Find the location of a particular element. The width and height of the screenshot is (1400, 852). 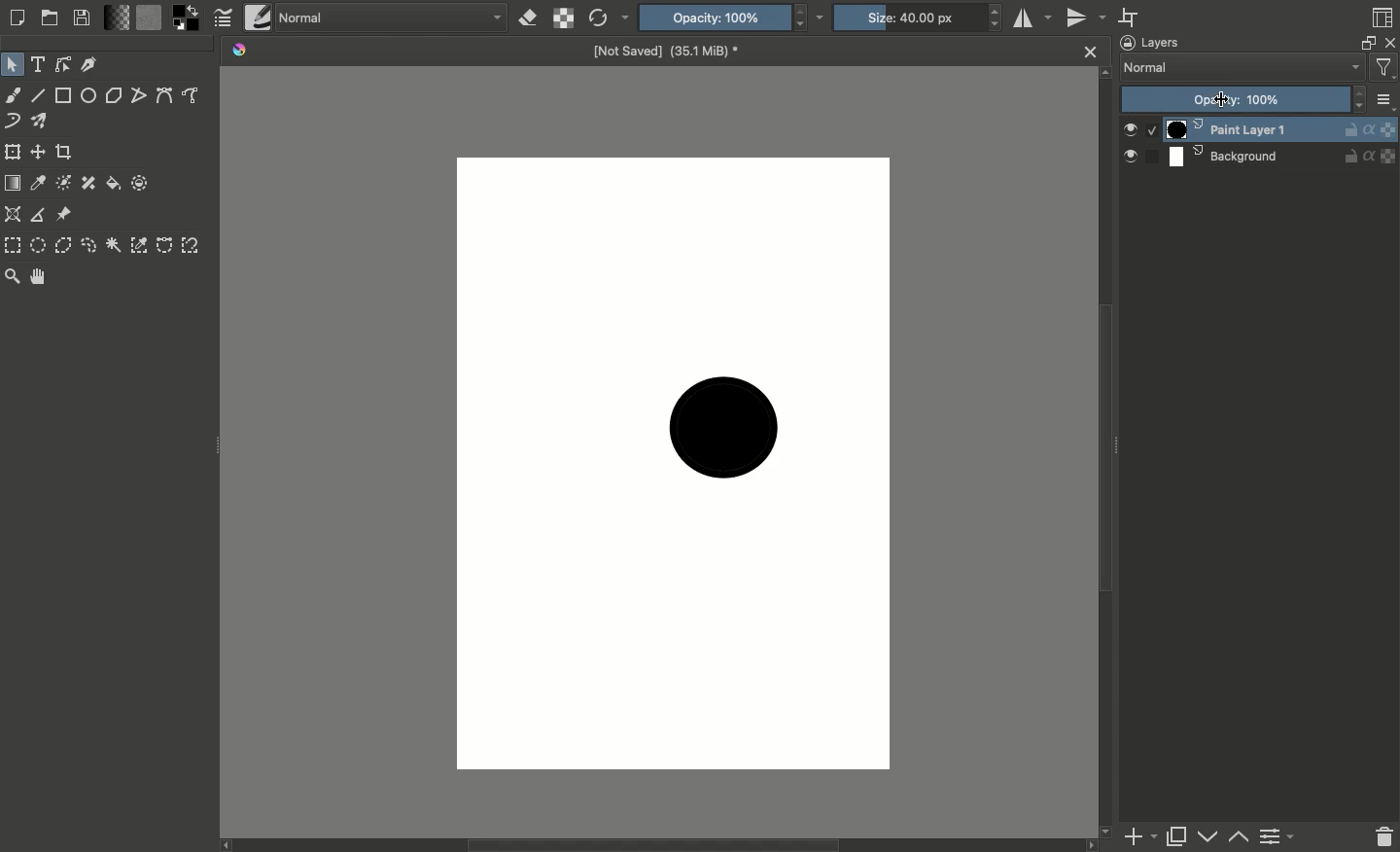

Fill gradients is located at coordinates (116, 18).